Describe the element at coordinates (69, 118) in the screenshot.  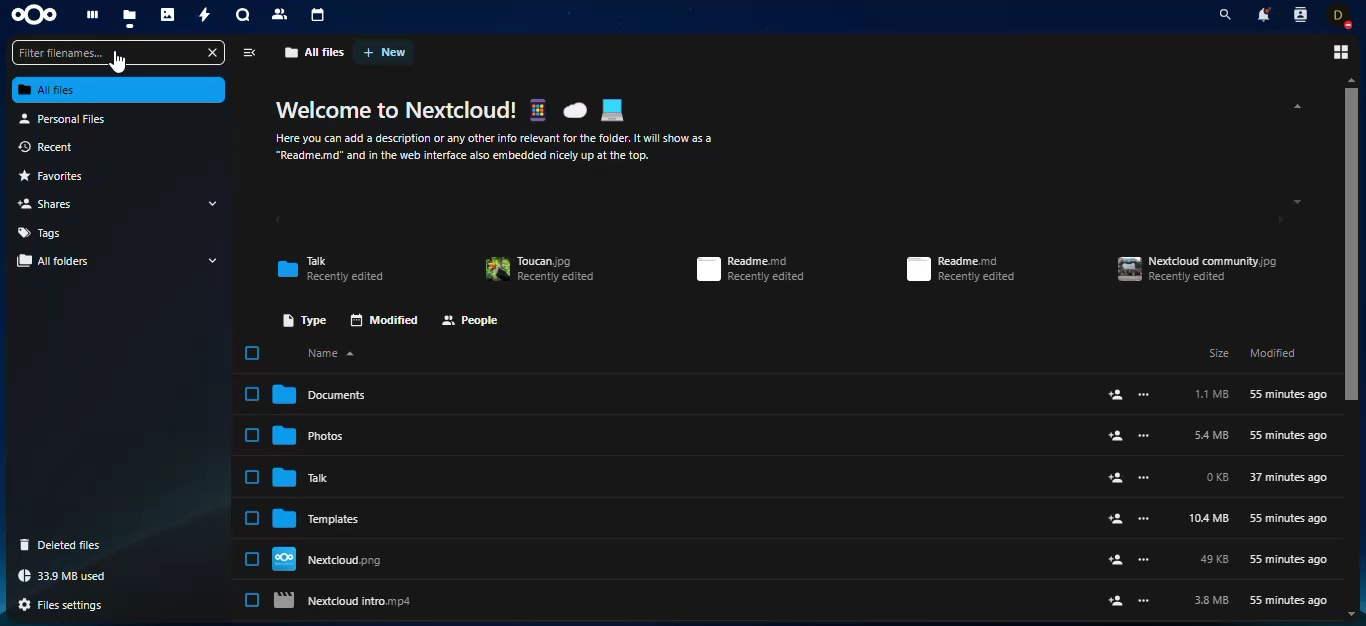
I see `personal files` at that location.